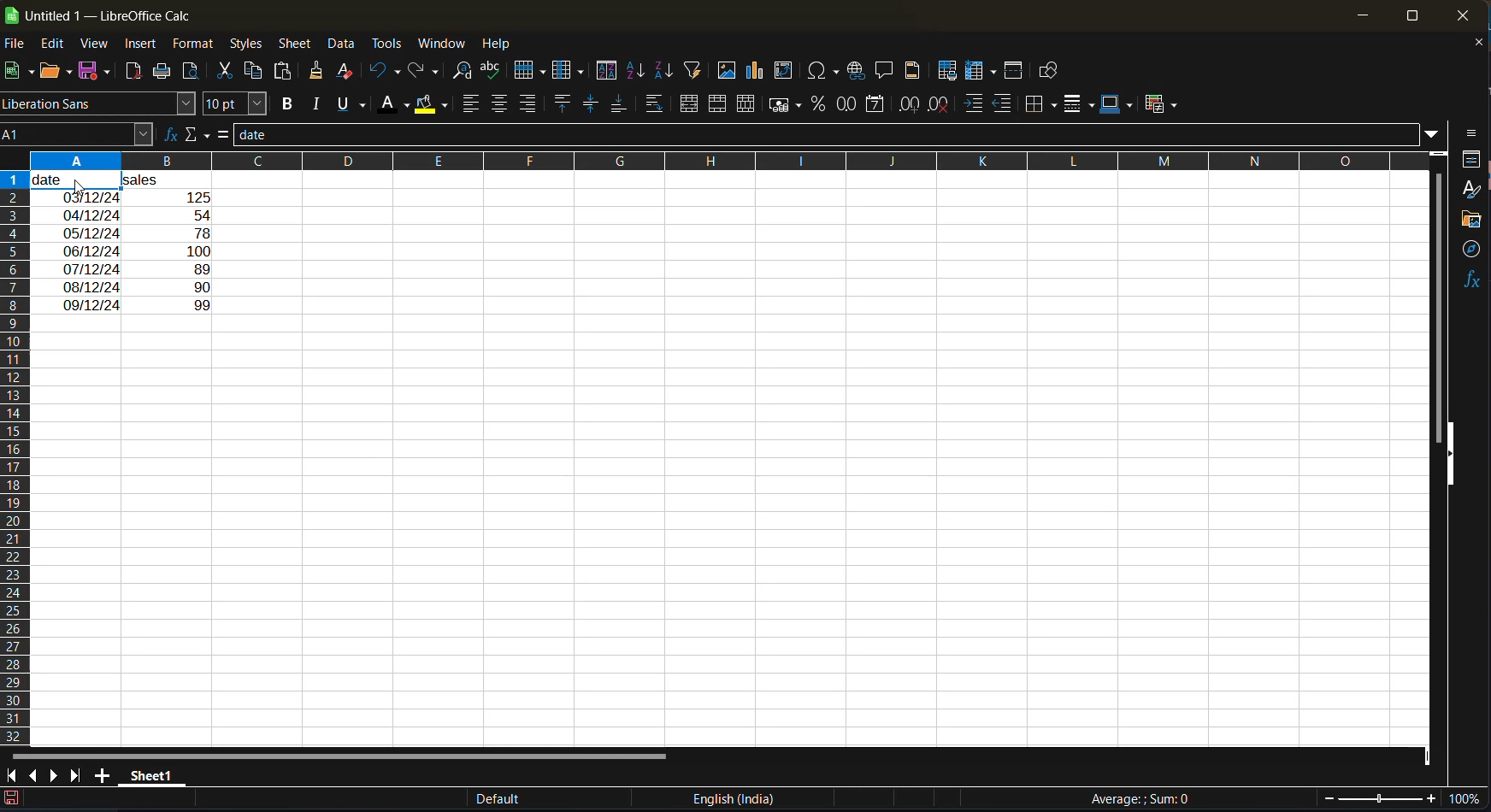 The height and width of the screenshot is (812, 1491). I want to click on sheet name, so click(152, 778).